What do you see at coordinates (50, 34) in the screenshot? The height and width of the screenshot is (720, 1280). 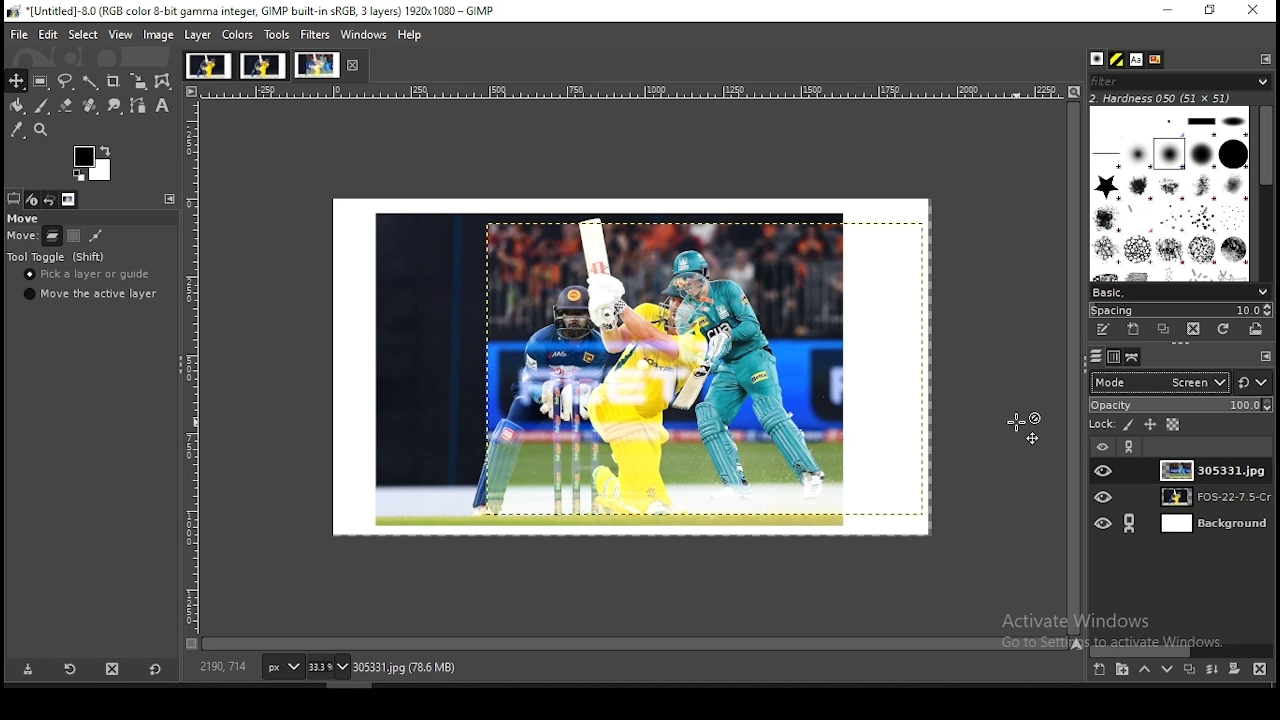 I see `edit` at bounding box center [50, 34].